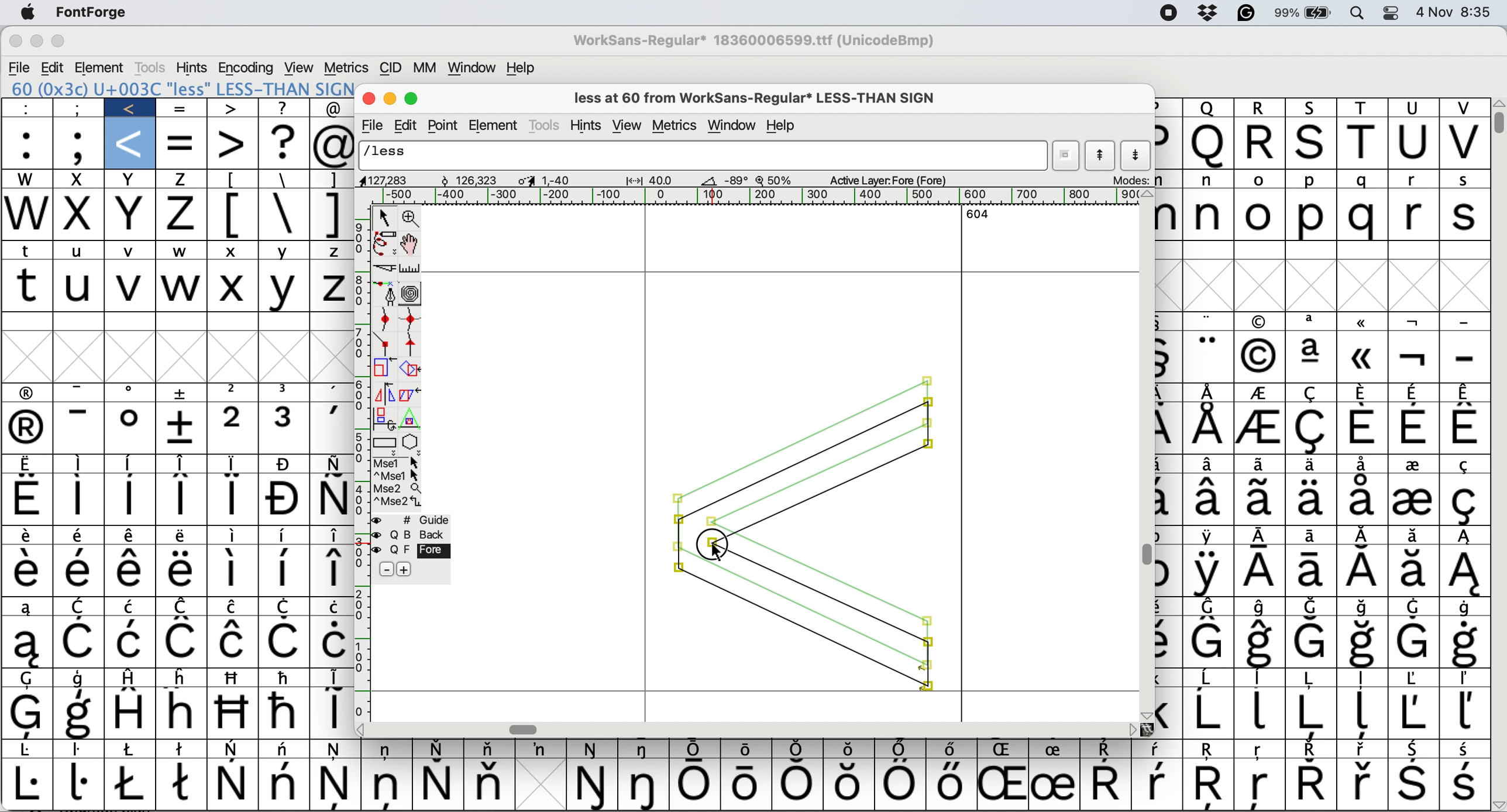 The height and width of the screenshot is (812, 1507). Describe the element at coordinates (182, 391) in the screenshot. I see `Symbol` at that location.